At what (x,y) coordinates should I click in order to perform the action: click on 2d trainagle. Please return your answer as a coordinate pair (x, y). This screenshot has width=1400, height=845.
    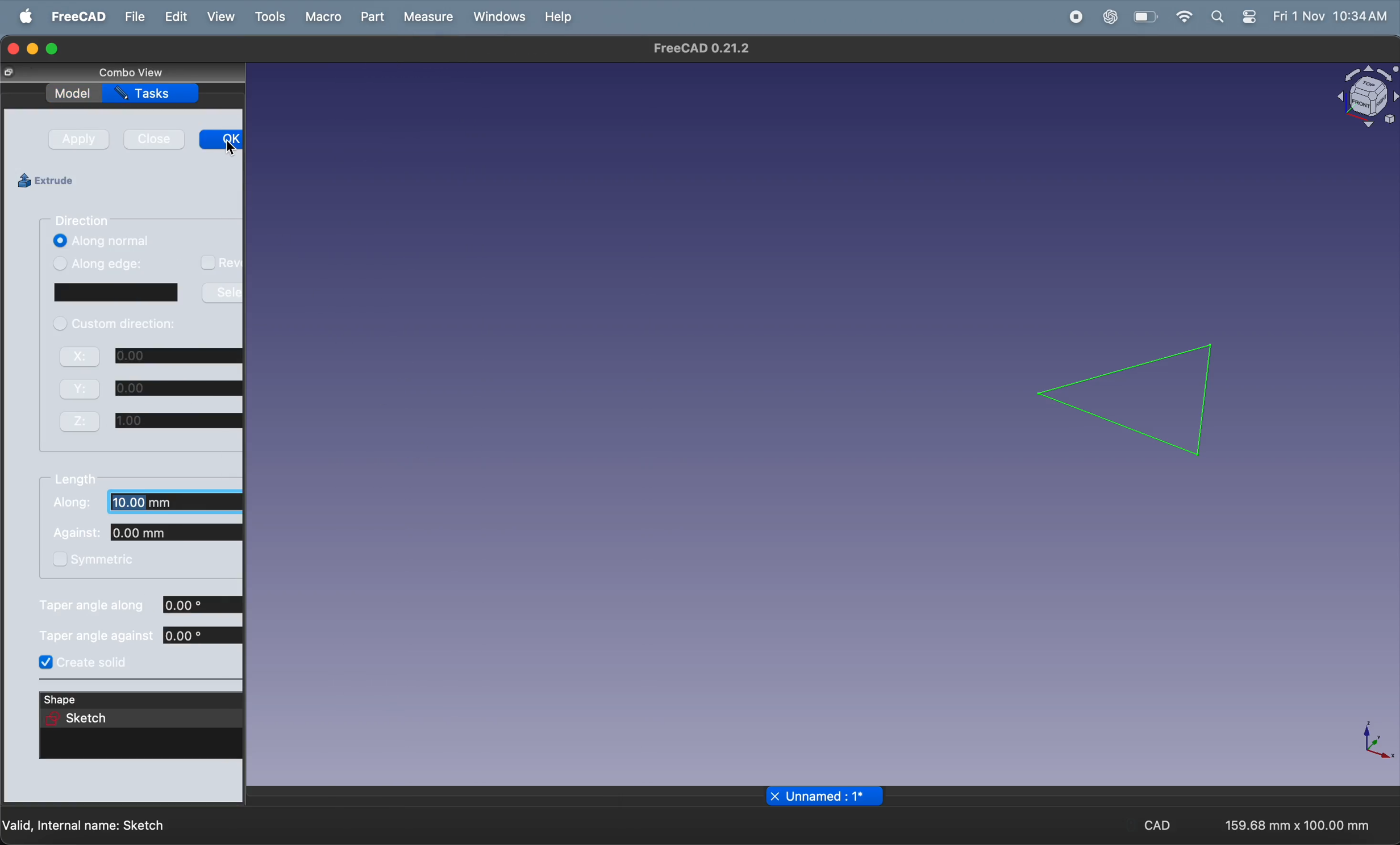
    Looking at the image, I should click on (1130, 398).